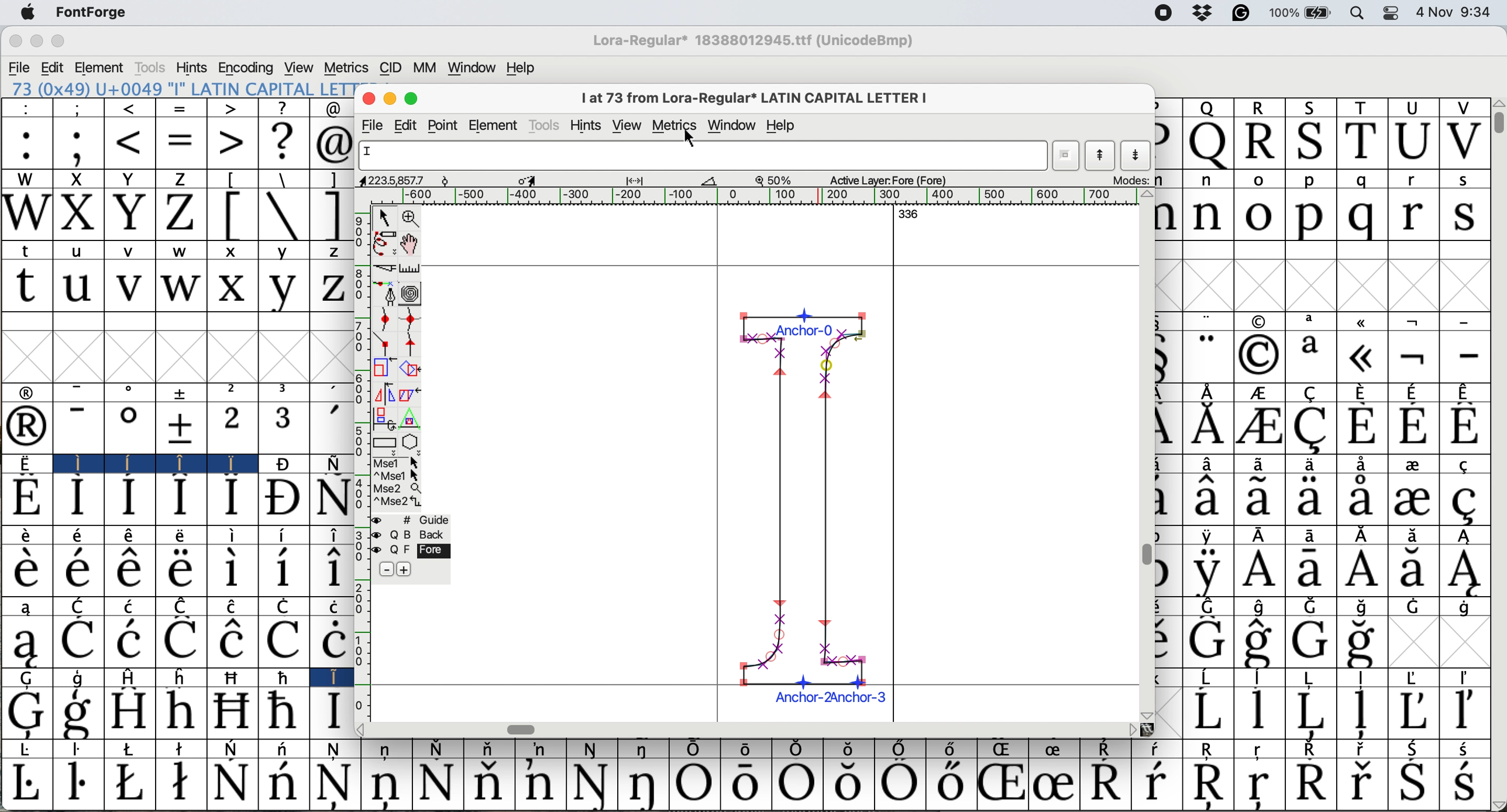 This screenshot has width=1507, height=812. I want to click on Symbol, so click(78, 498).